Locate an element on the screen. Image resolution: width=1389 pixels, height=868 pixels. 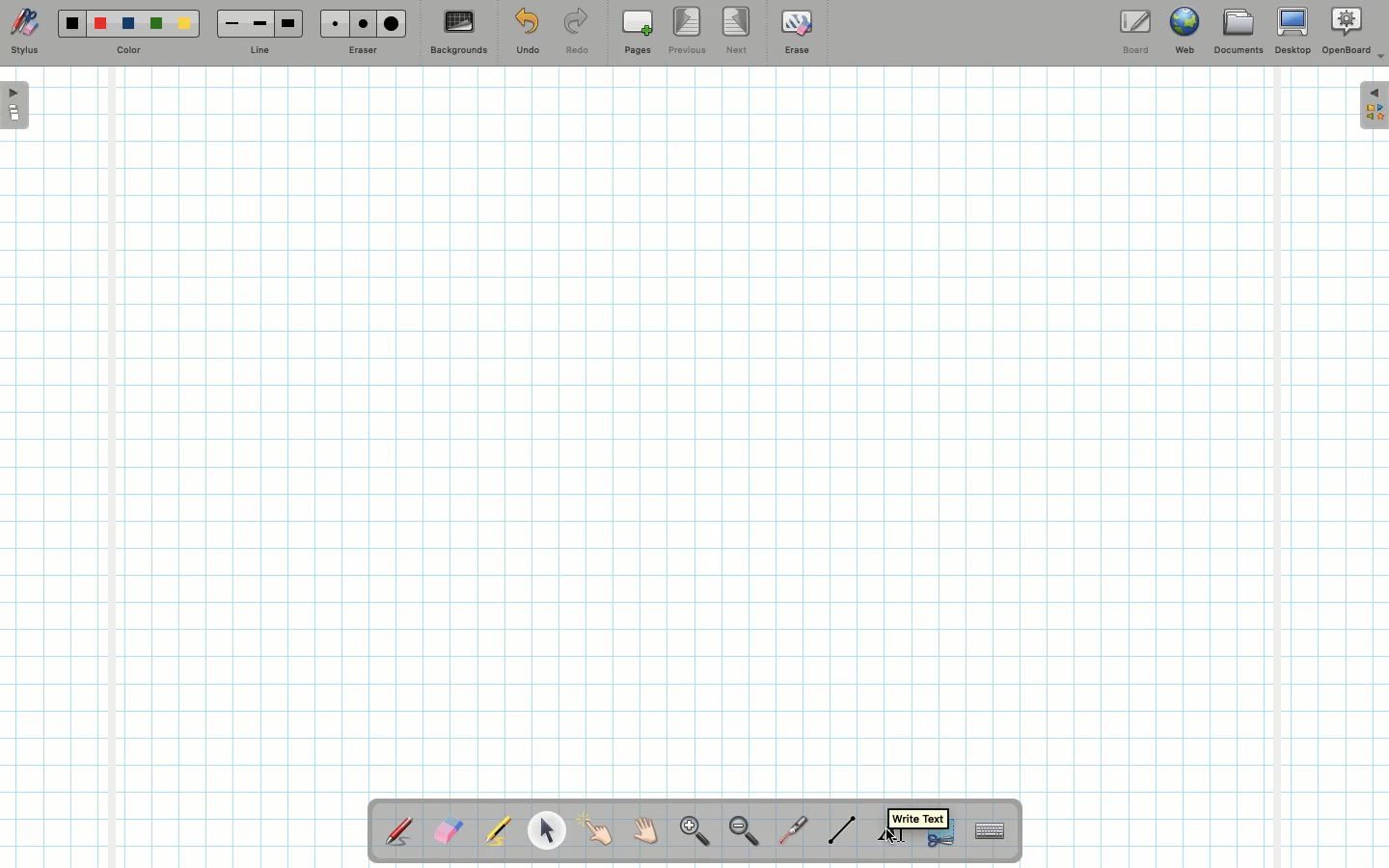
Open pages is located at coordinates (16, 104).